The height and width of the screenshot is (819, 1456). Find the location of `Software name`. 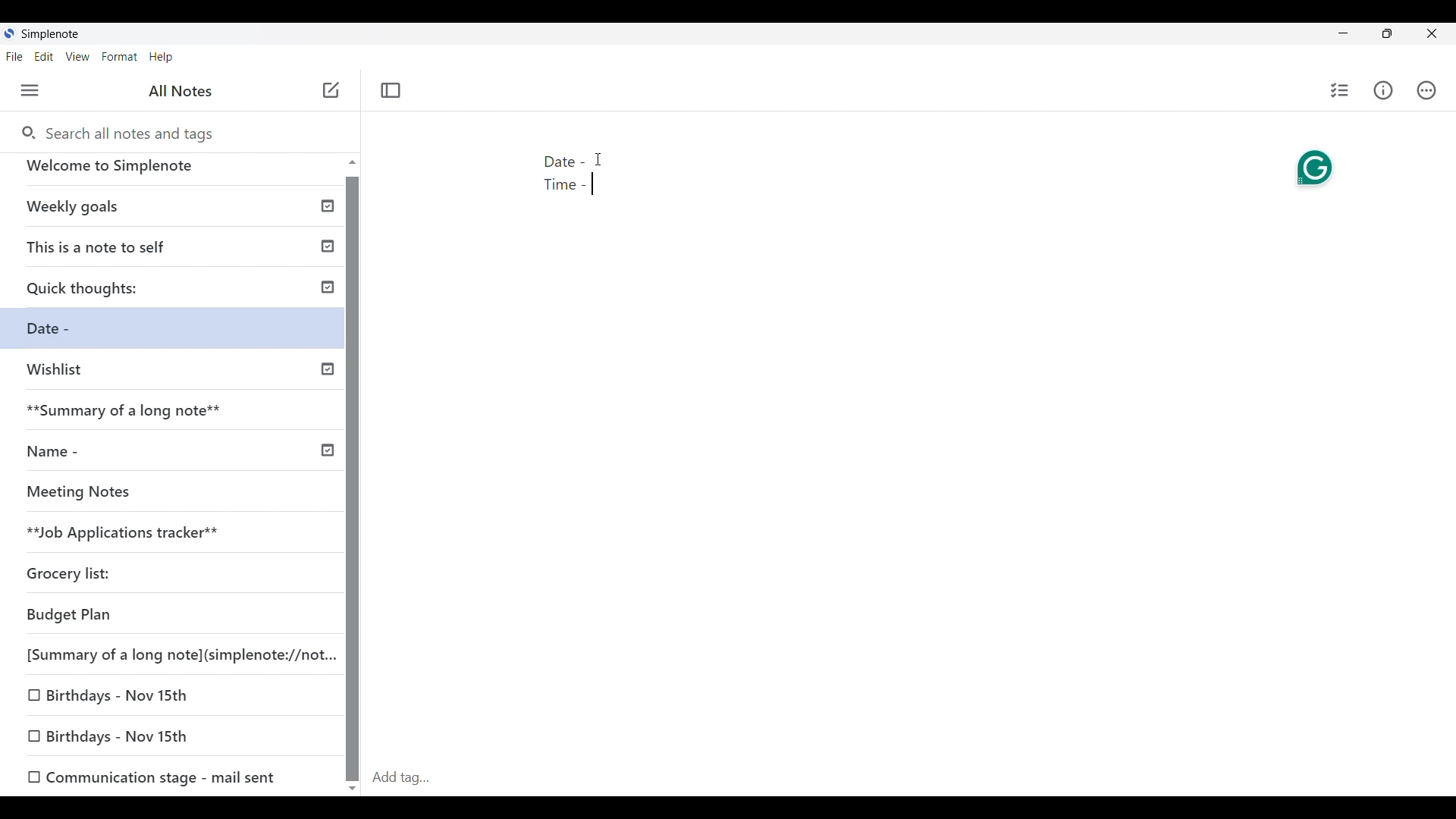

Software name is located at coordinates (50, 34).